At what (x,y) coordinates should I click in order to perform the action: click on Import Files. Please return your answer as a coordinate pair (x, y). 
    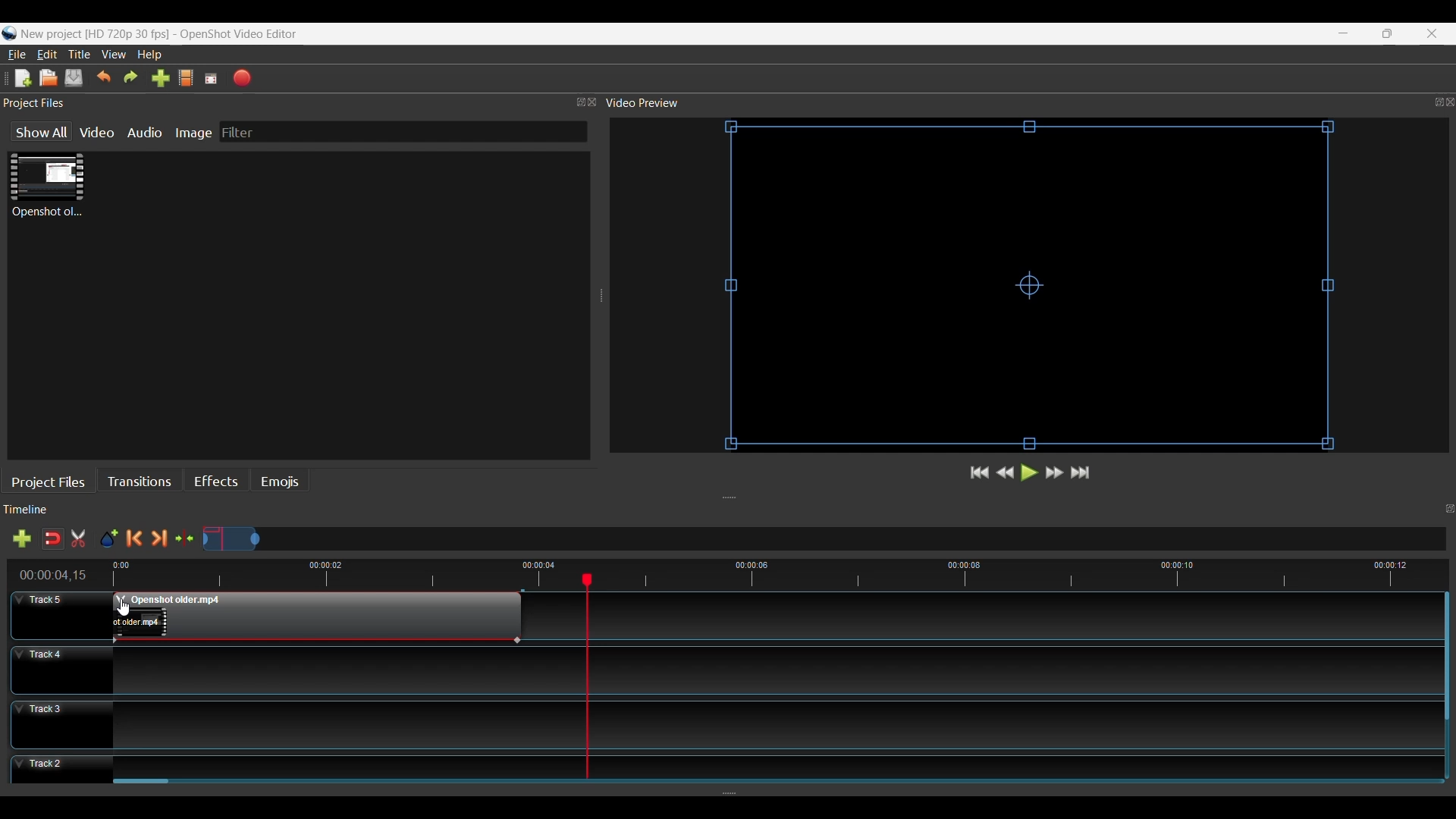
    Looking at the image, I should click on (160, 80).